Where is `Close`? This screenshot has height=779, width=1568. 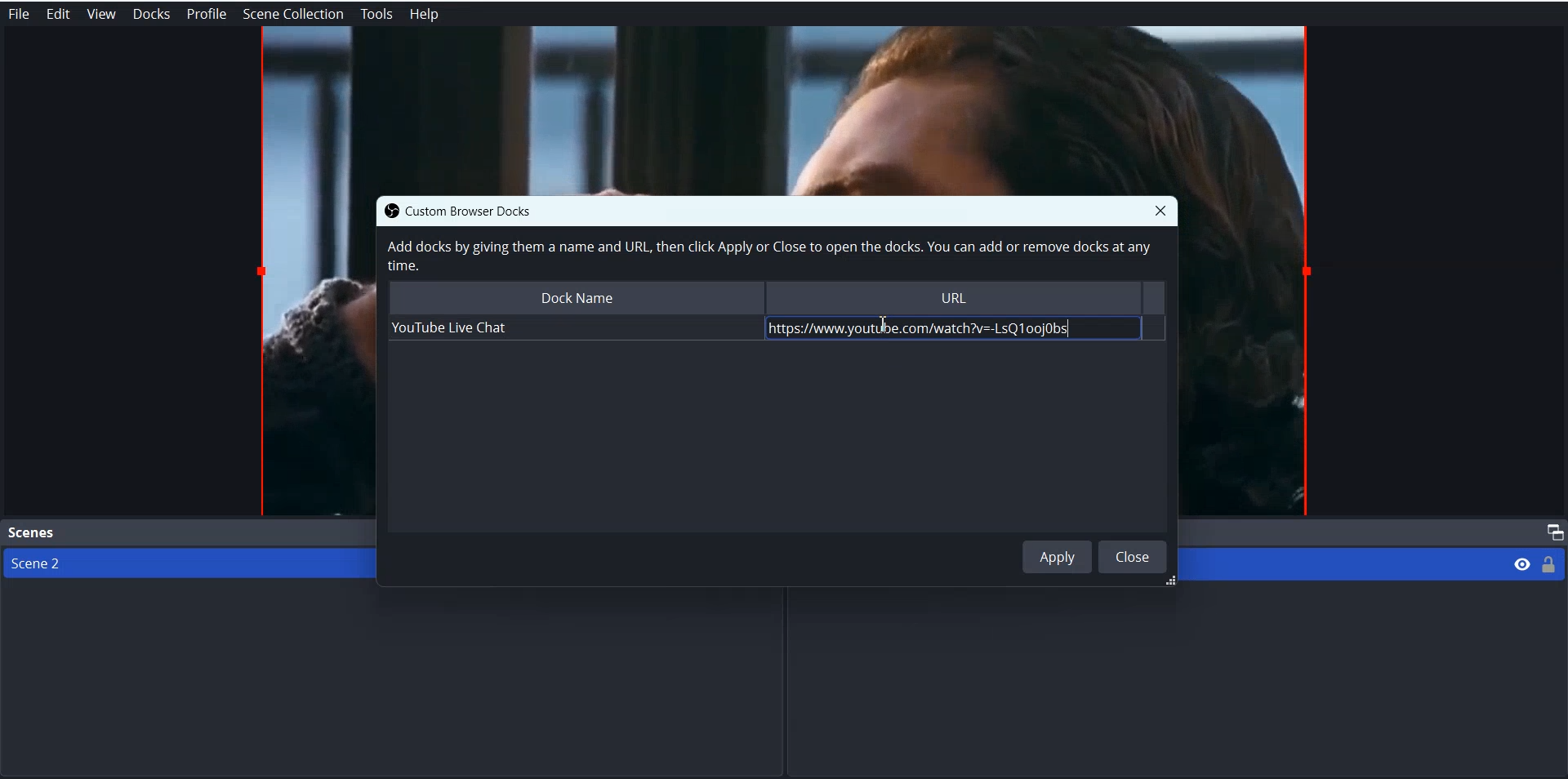 Close is located at coordinates (1160, 210).